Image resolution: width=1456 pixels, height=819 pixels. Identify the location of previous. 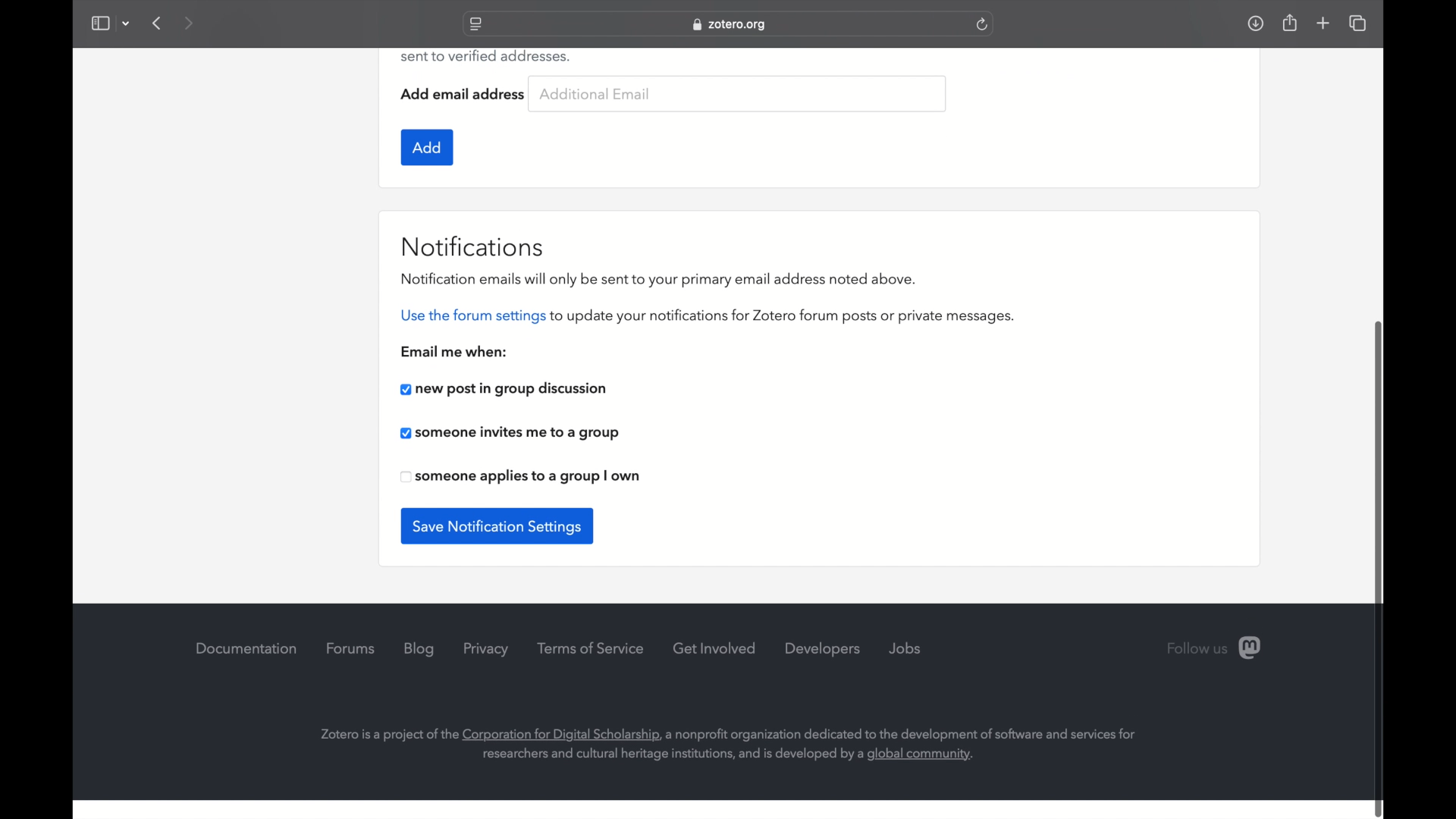
(158, 23).